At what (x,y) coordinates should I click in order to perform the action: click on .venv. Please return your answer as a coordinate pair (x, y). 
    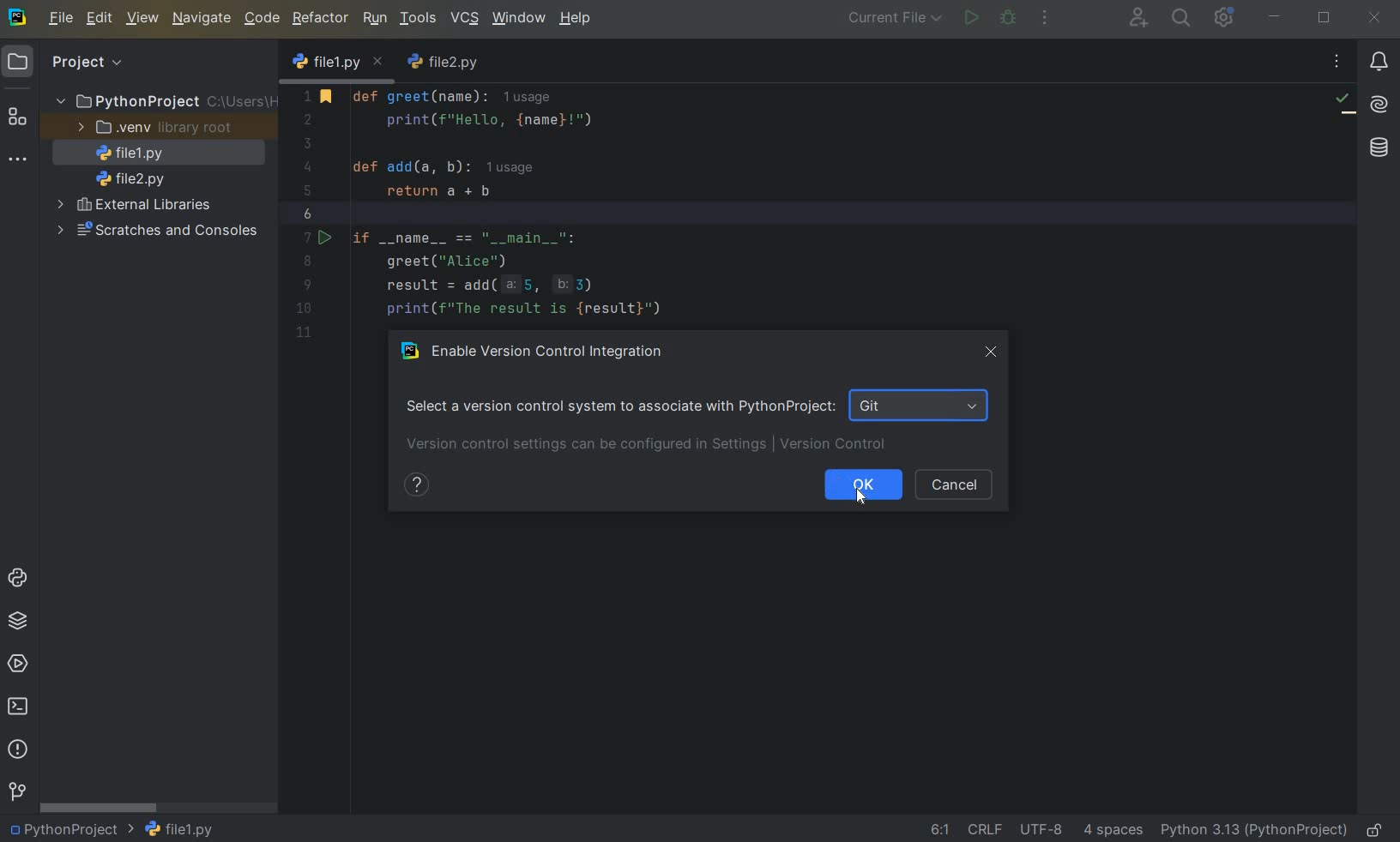
    Looking at the image, I should click on (152, 128).